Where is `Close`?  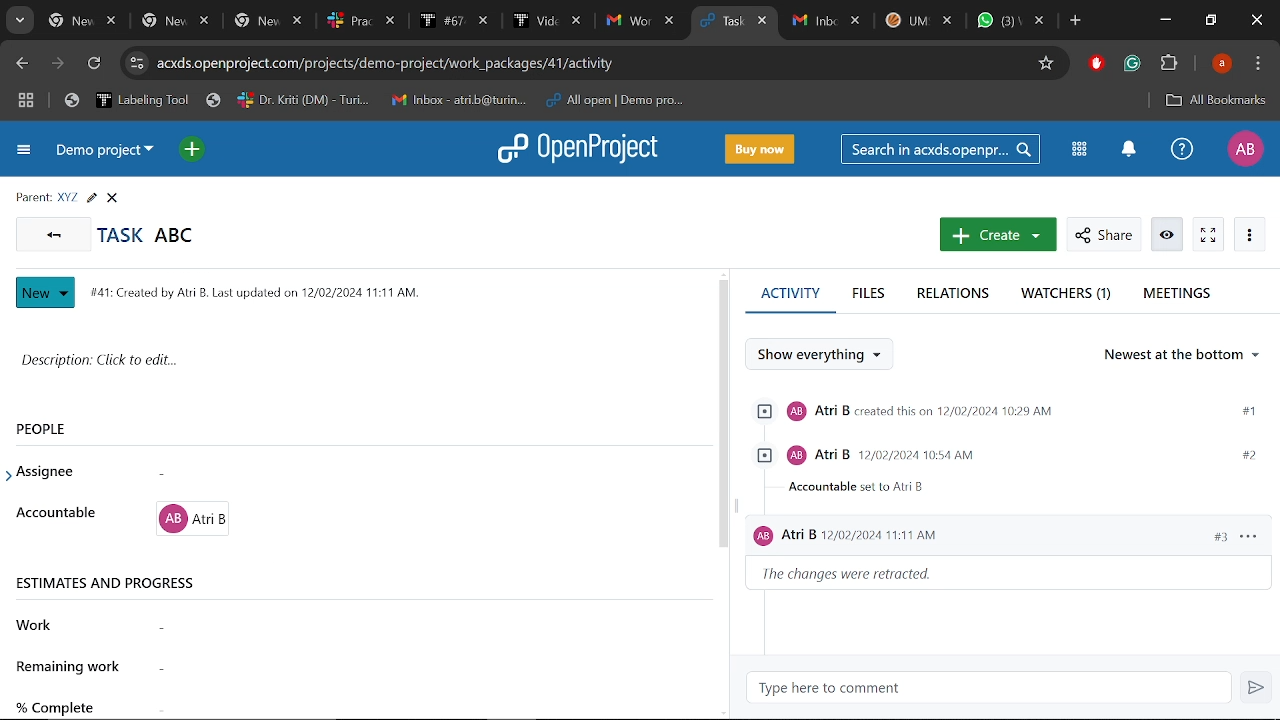
Close is located at coordinates (112, 198).